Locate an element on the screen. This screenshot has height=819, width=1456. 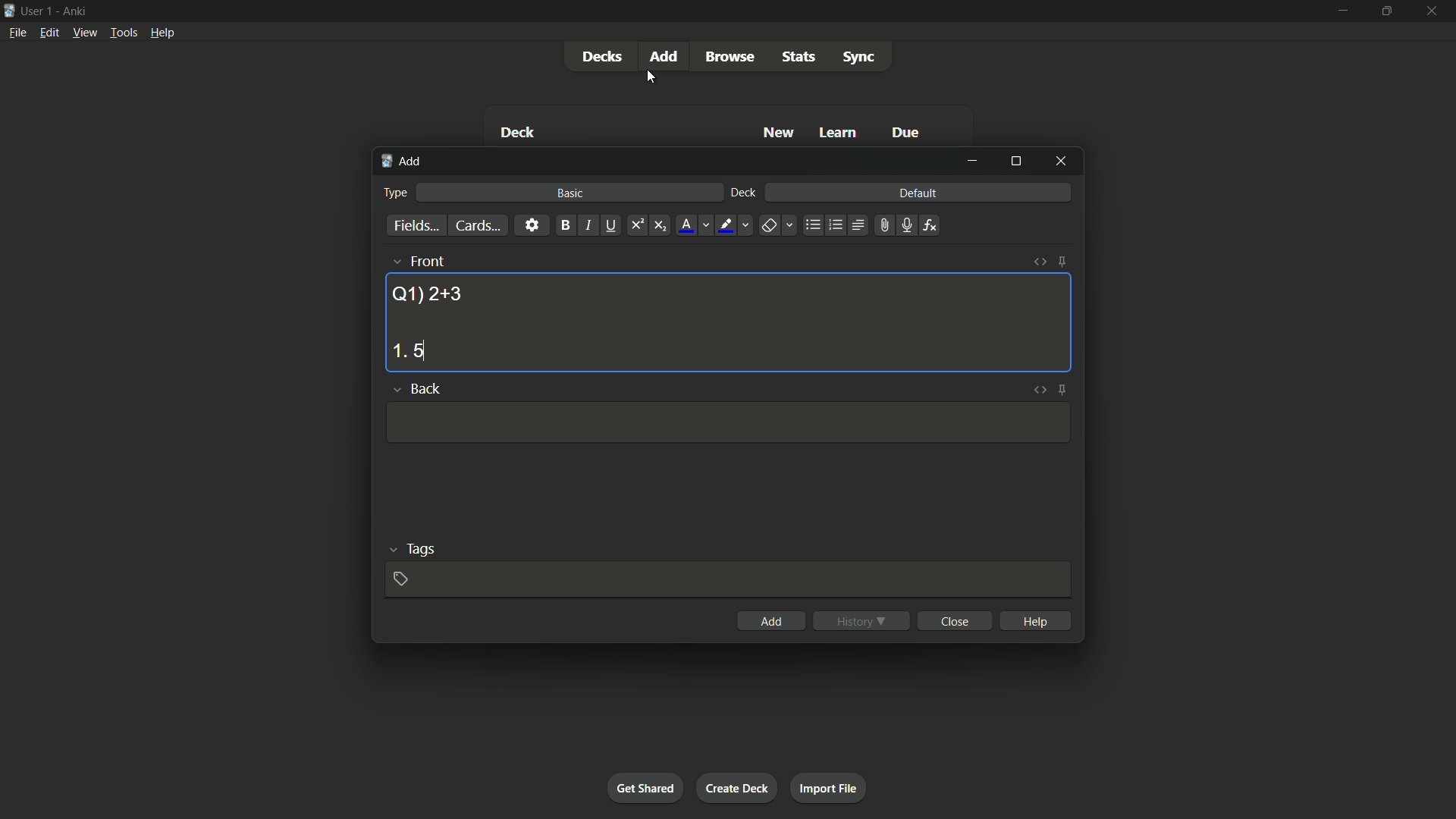
highlight text is located at coordinates (723, 226).